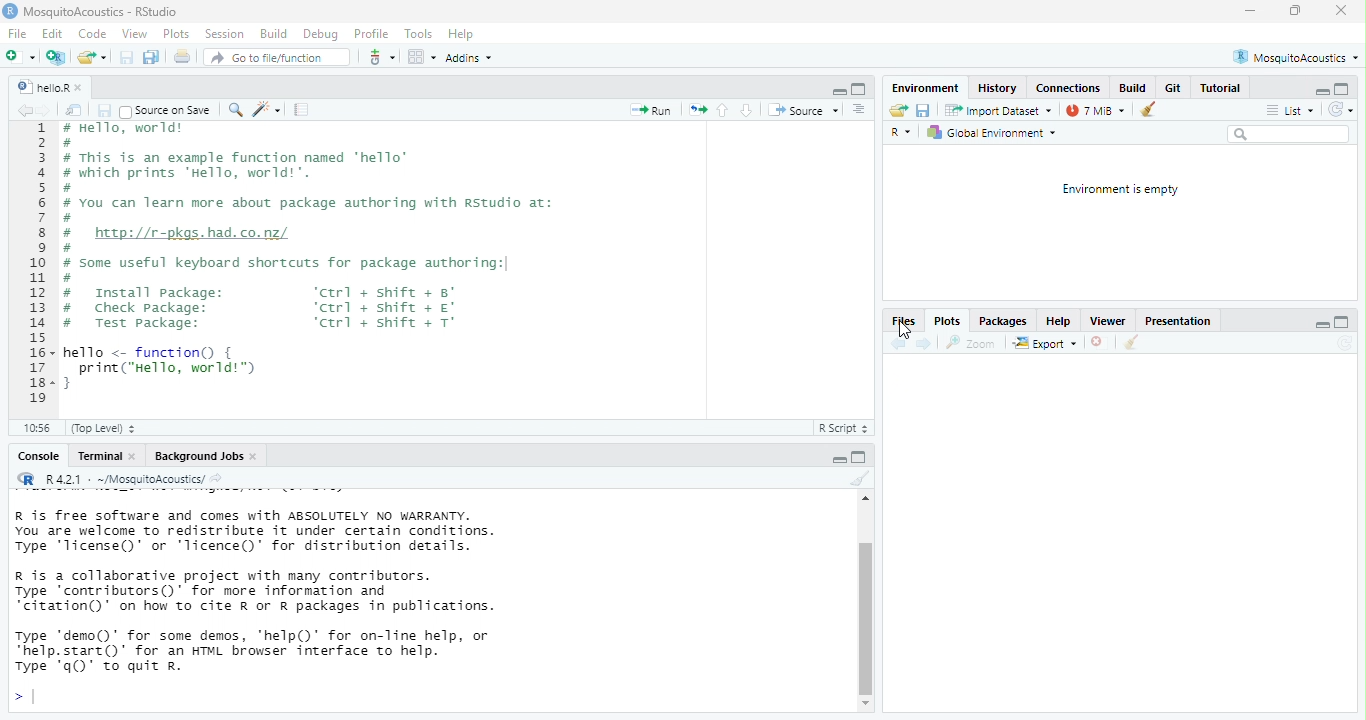 The image size is (1366, 720). Describe the element at coordinates (1298, 56) in the screenshot. I see `® MosquitoAcoustics *` at that location.